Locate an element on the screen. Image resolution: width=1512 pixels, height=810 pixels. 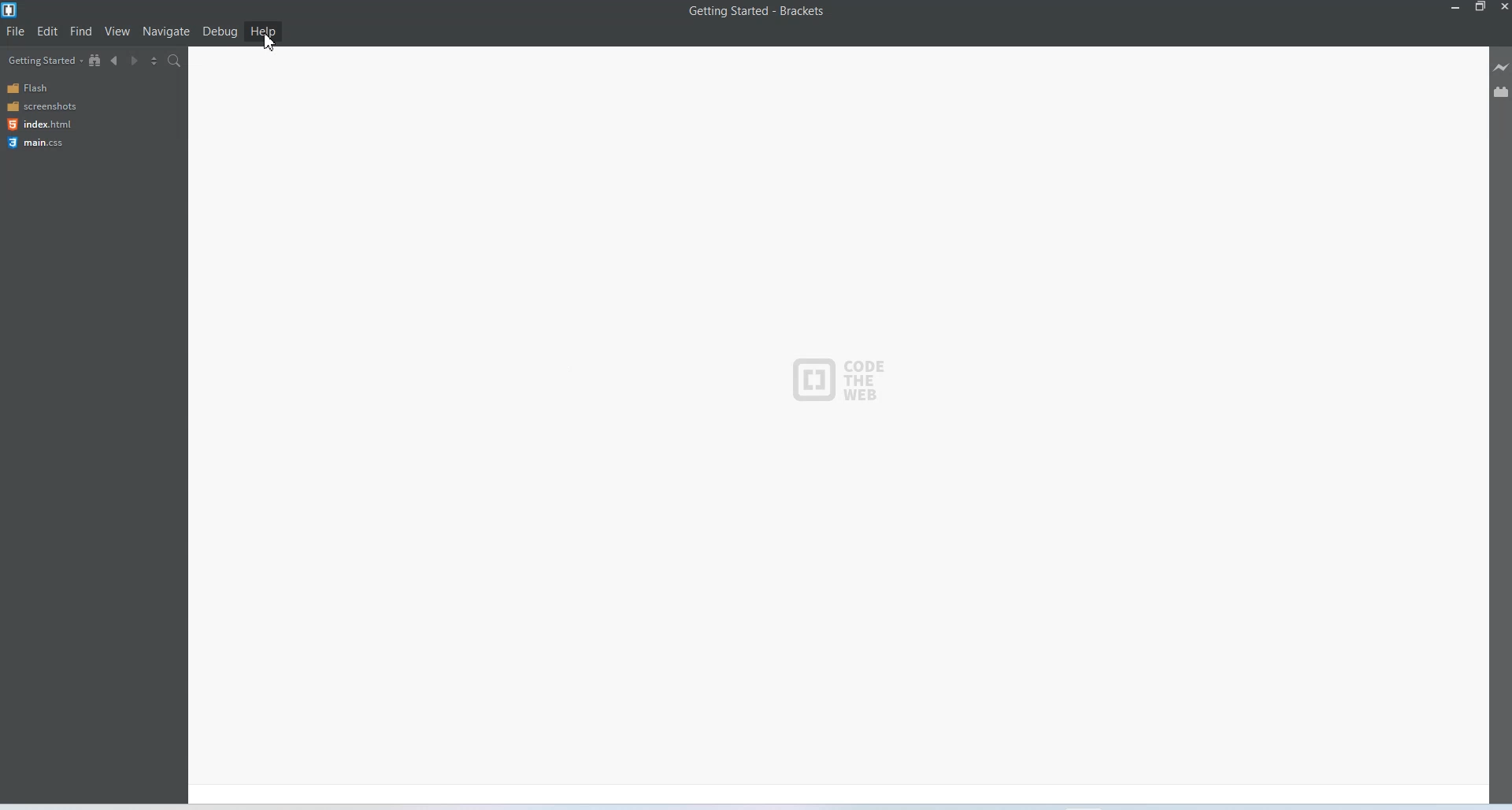
Find in files is located at coordinates (175, 61).